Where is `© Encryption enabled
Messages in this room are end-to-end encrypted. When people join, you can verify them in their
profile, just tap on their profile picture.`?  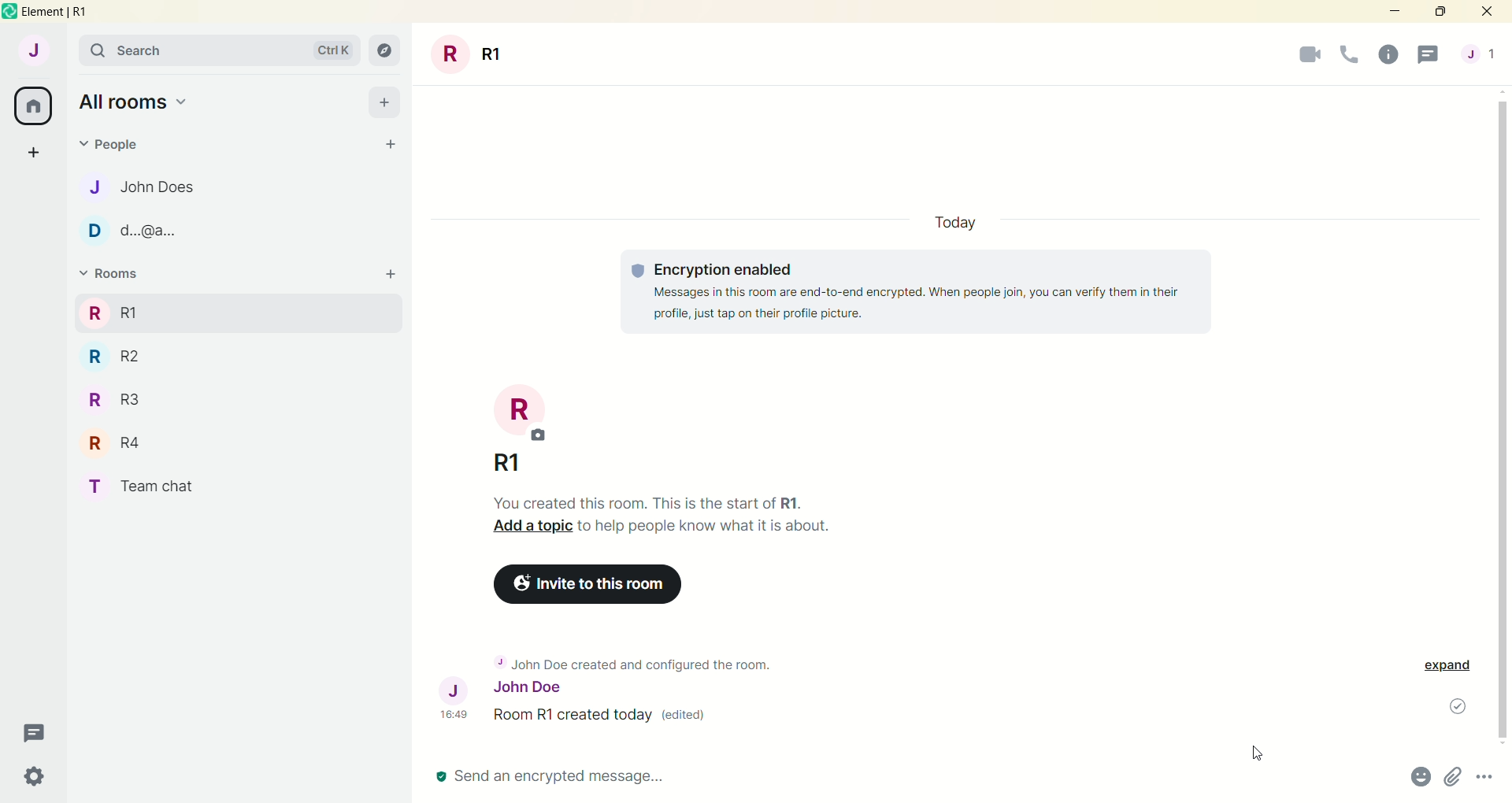
© Encryption enabled
Messages in this room are end-to-end encrypted. When people join, you can verify them in their
profile, just tap on their profile picture. is located at coordinates (921, 290).